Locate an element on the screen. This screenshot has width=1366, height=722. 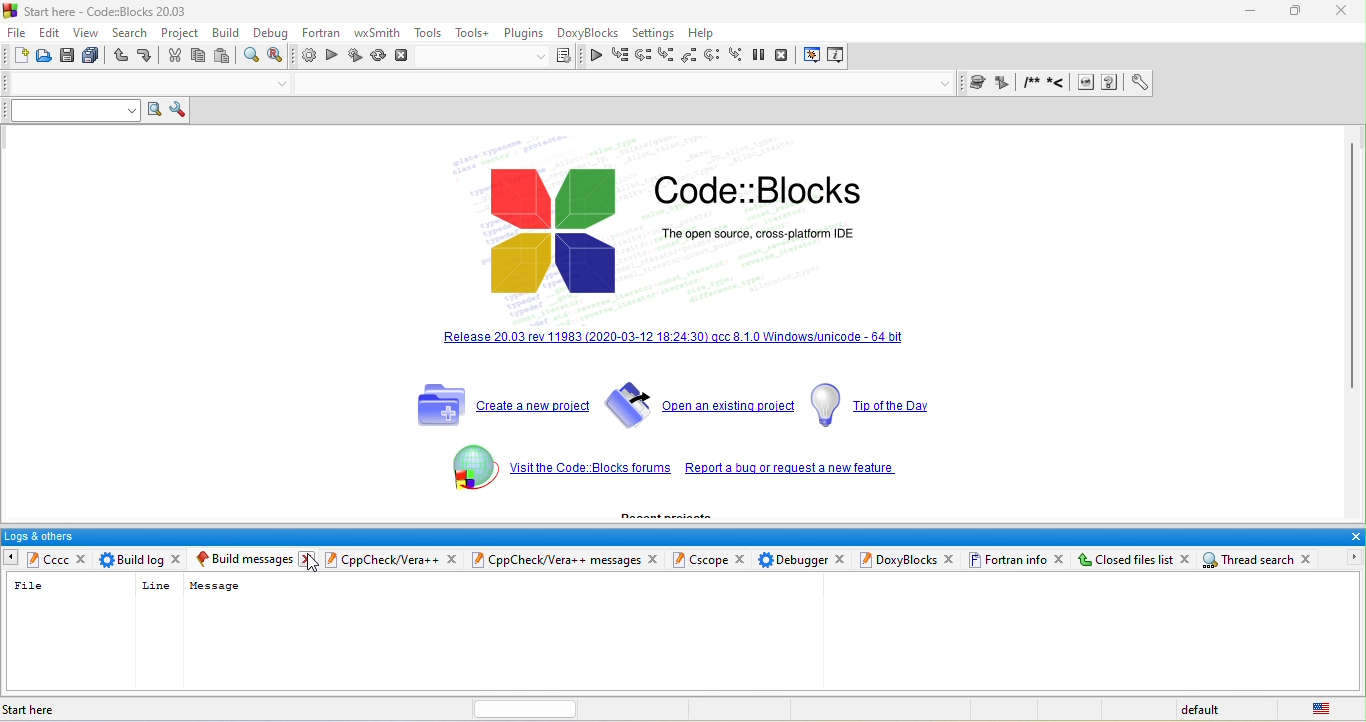
edit is located at coordinates (50, 32).